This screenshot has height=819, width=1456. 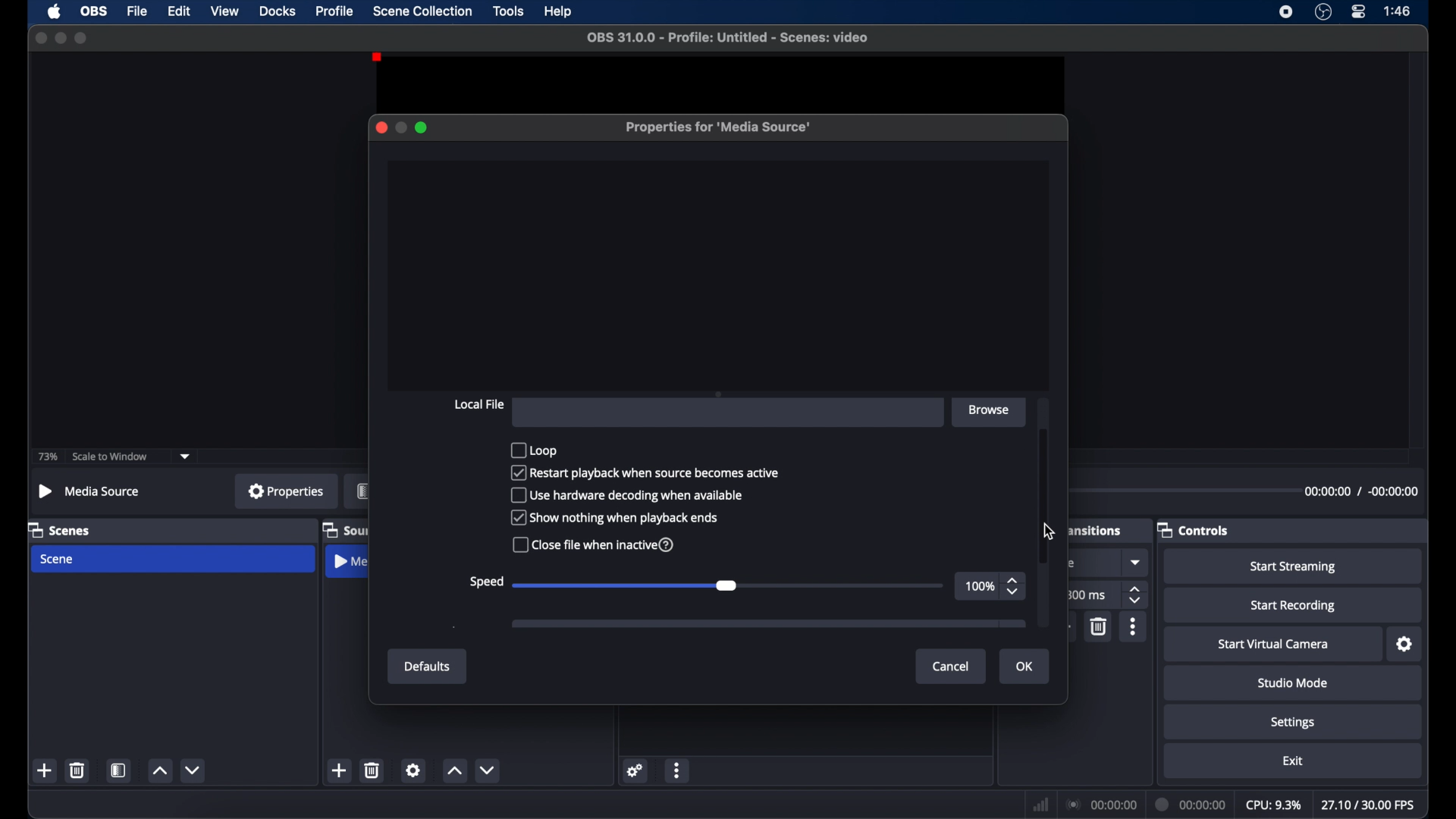 I want to click on decrement, so click(x=194, y=770).